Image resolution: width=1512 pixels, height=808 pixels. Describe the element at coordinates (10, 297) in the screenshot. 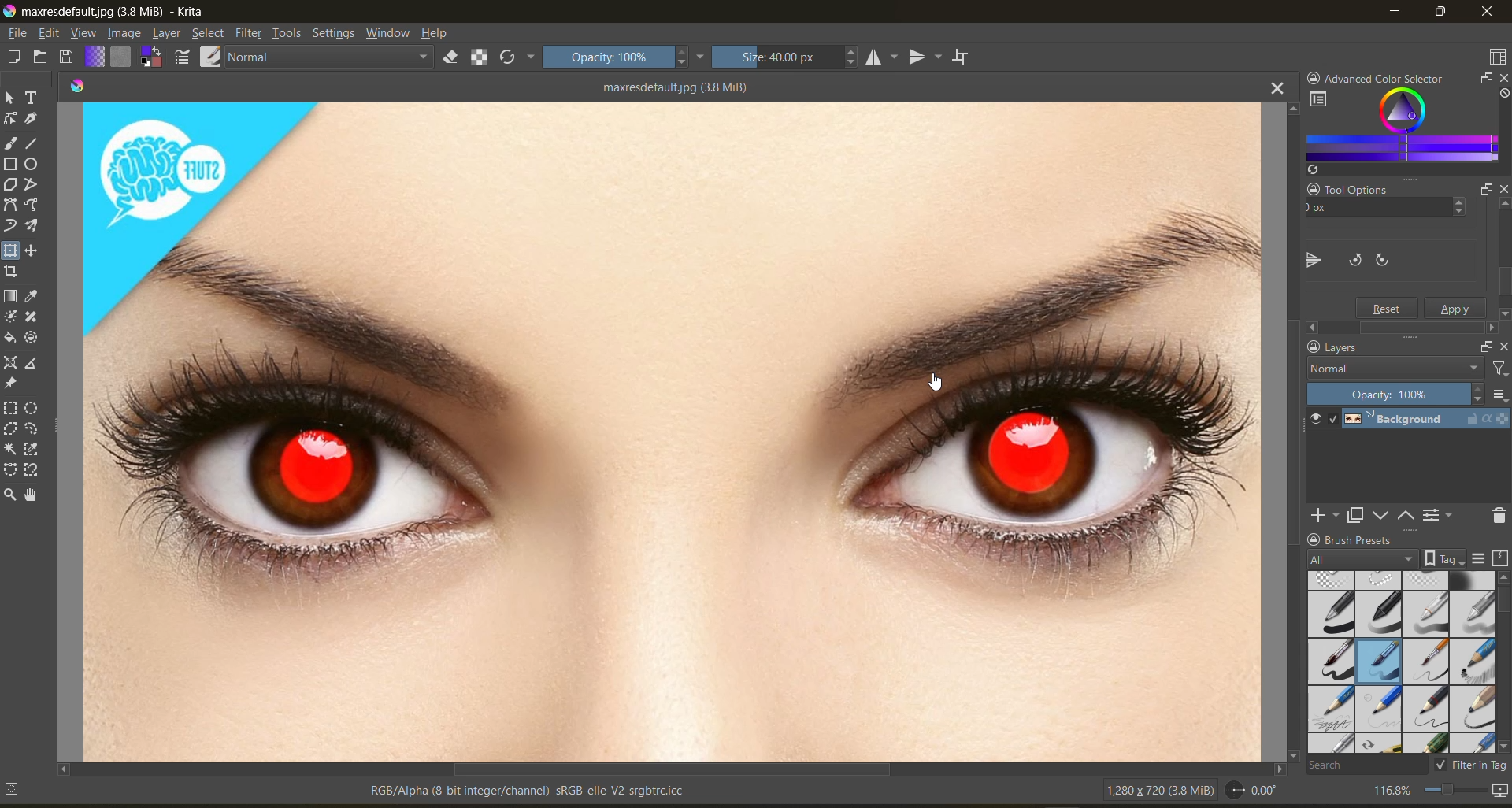

I see `tool` at that location.